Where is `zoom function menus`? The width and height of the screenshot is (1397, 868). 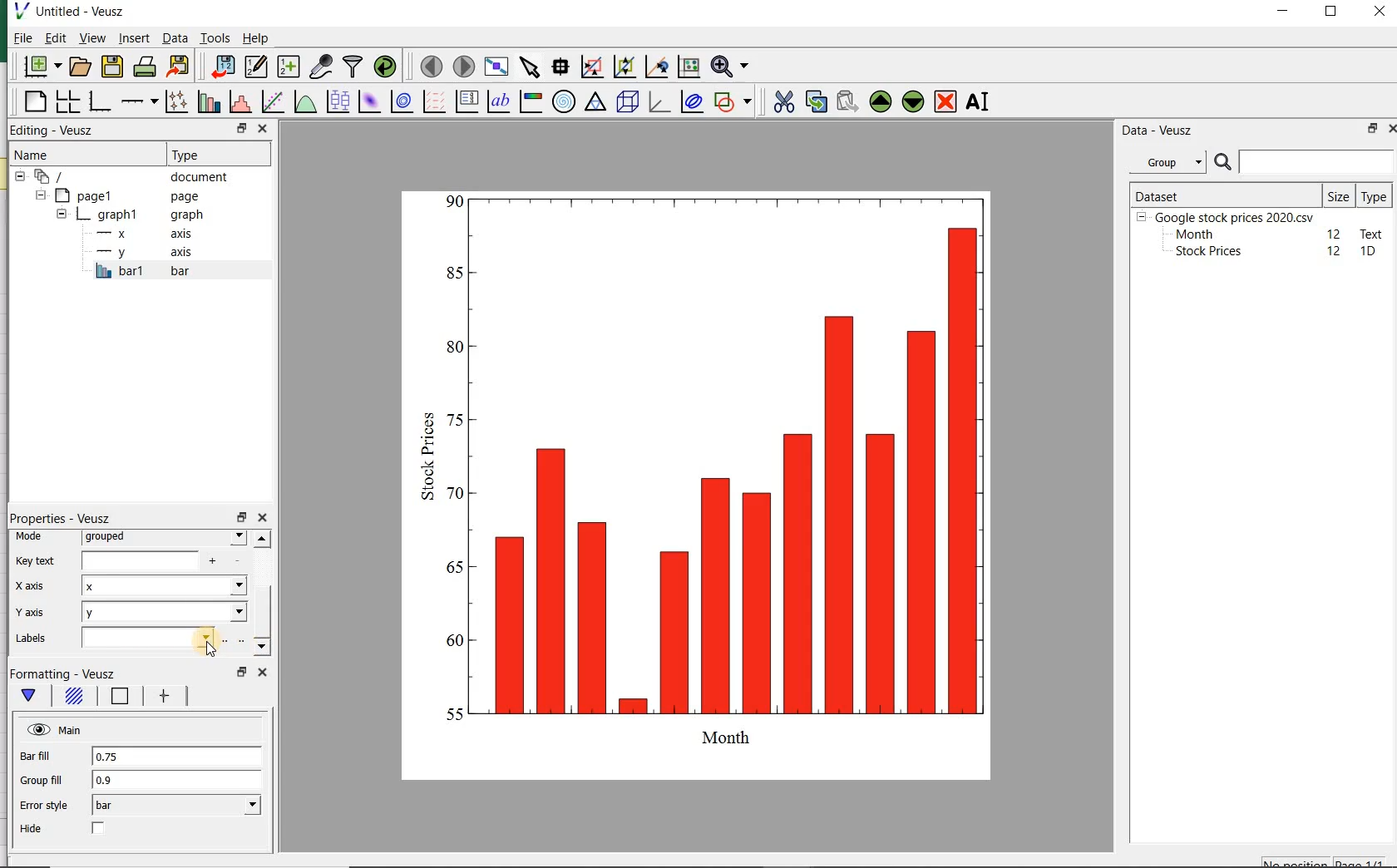 zoom function menus is located at coordinates (733, 67).